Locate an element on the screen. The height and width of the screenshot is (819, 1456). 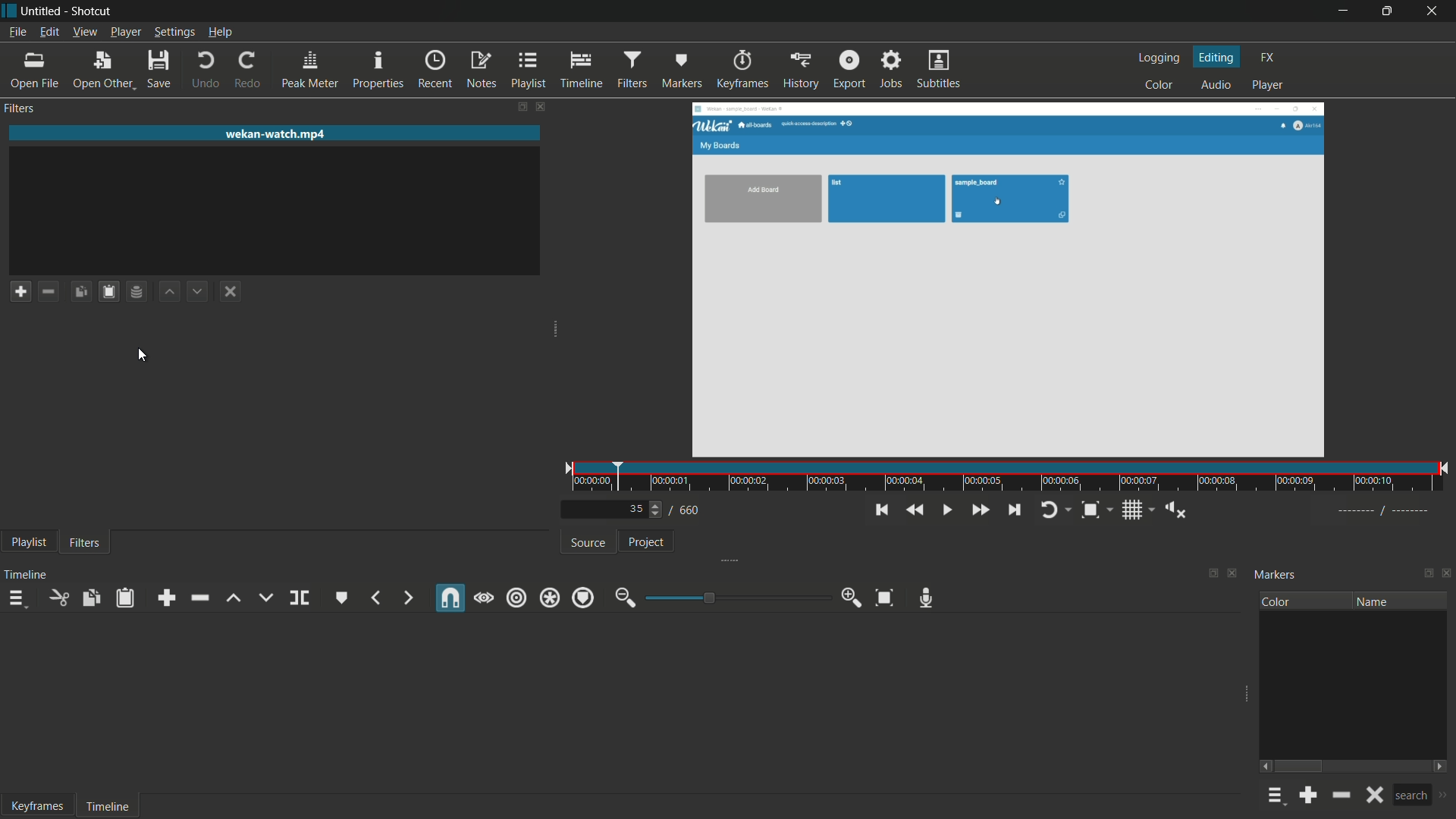
paste is located at coordinates (125, 598).